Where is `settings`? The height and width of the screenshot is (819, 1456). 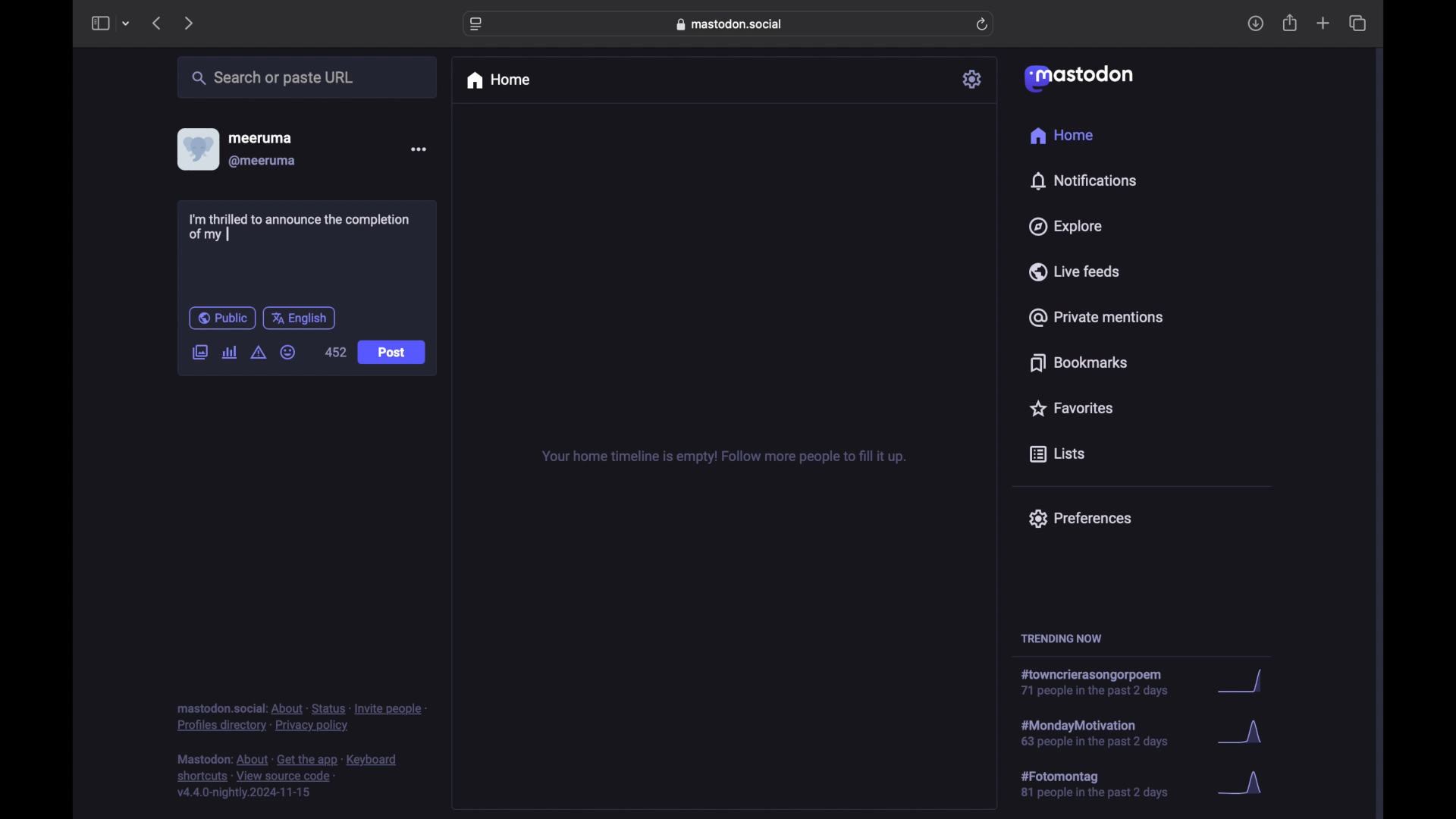
settings is located at coordinates (973, 79).